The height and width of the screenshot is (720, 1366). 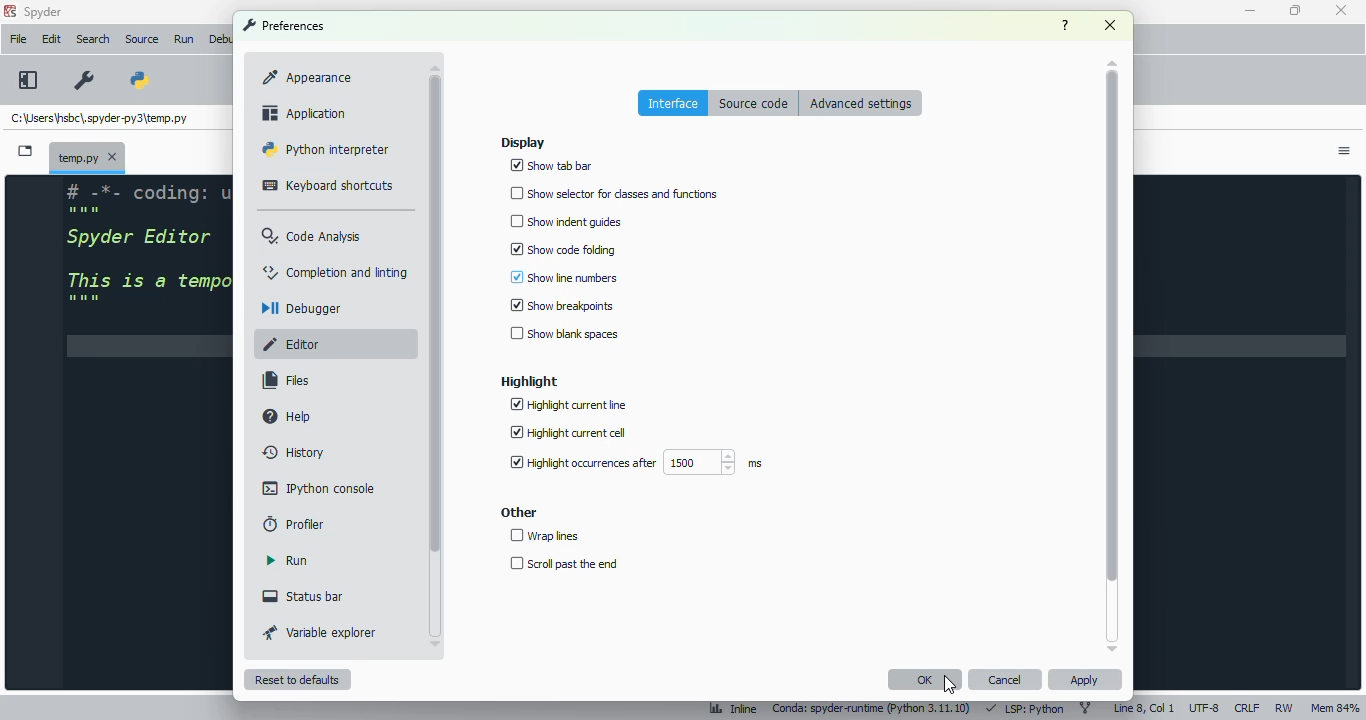 I want to click on mem 83%, so click(x=1334, y=708).